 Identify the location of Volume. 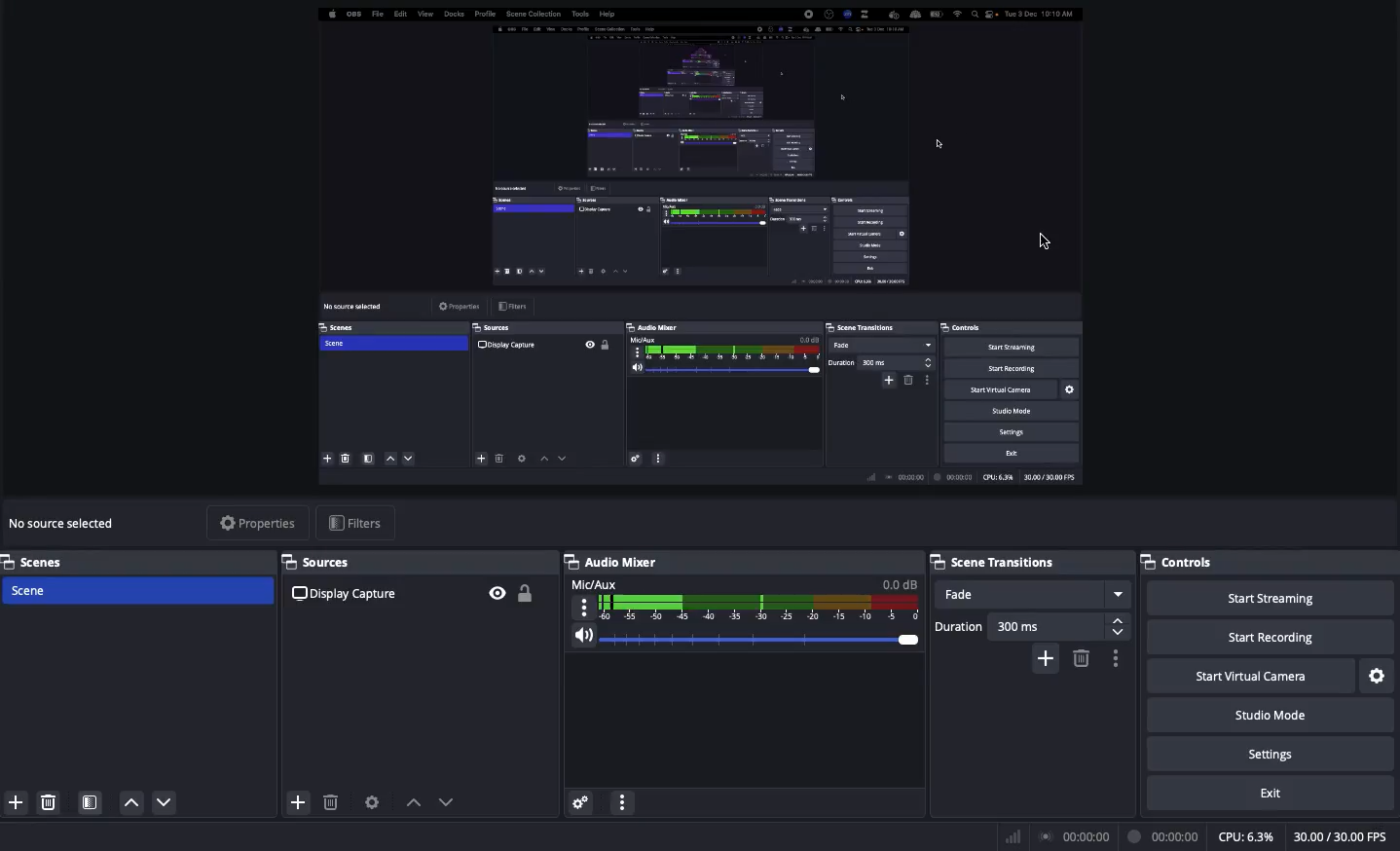
(740, 641).